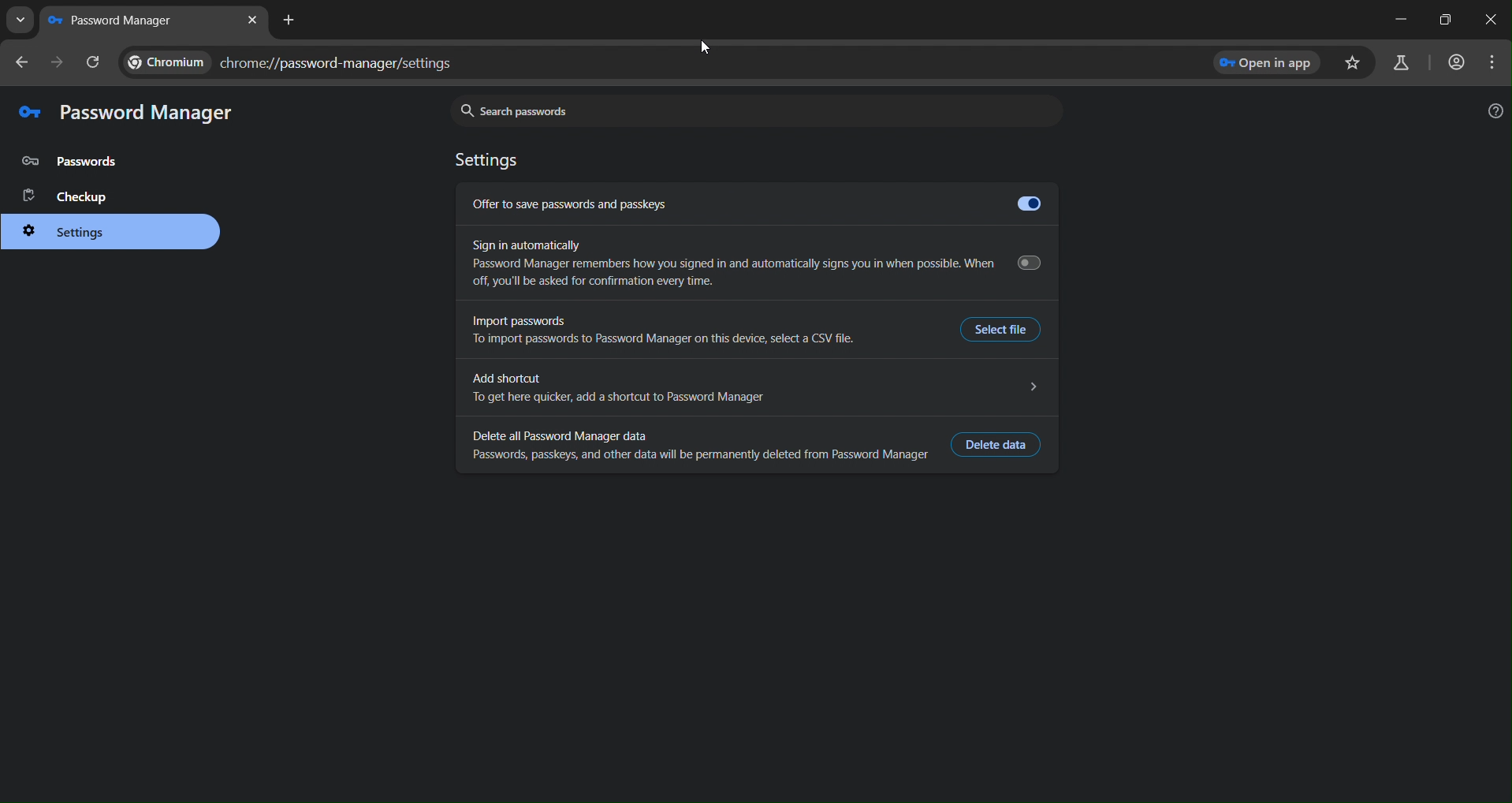 This screenshot has height=803, width=1512. What do you see at coordinates (492, 162) in the screenshot?
I see `settings` at bounding box center [492, 162].